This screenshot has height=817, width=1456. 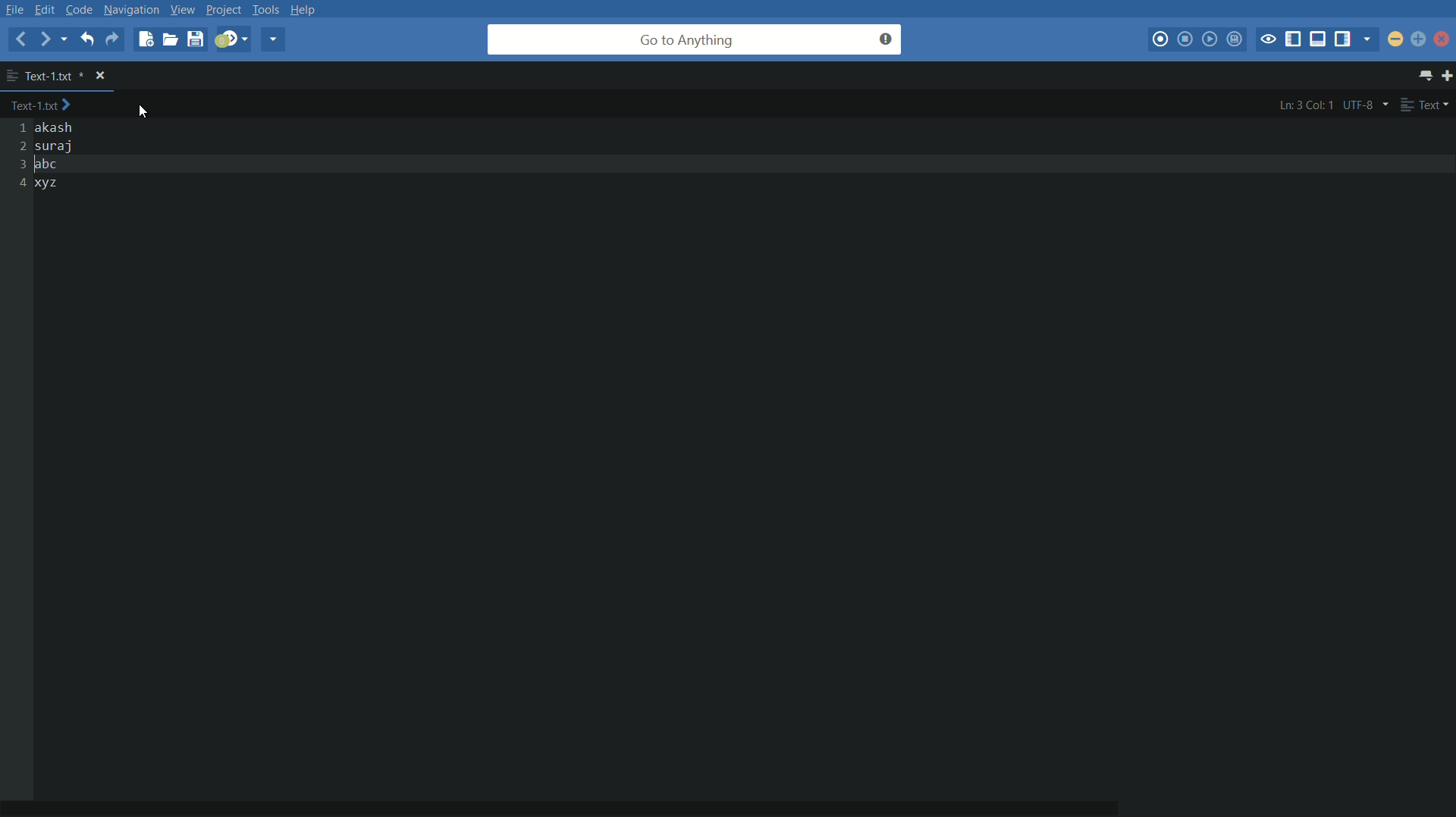 What do you see at coordinates (1447, 77) in the screenshot?
I see `new tab` at bounding box center [1447, 77].